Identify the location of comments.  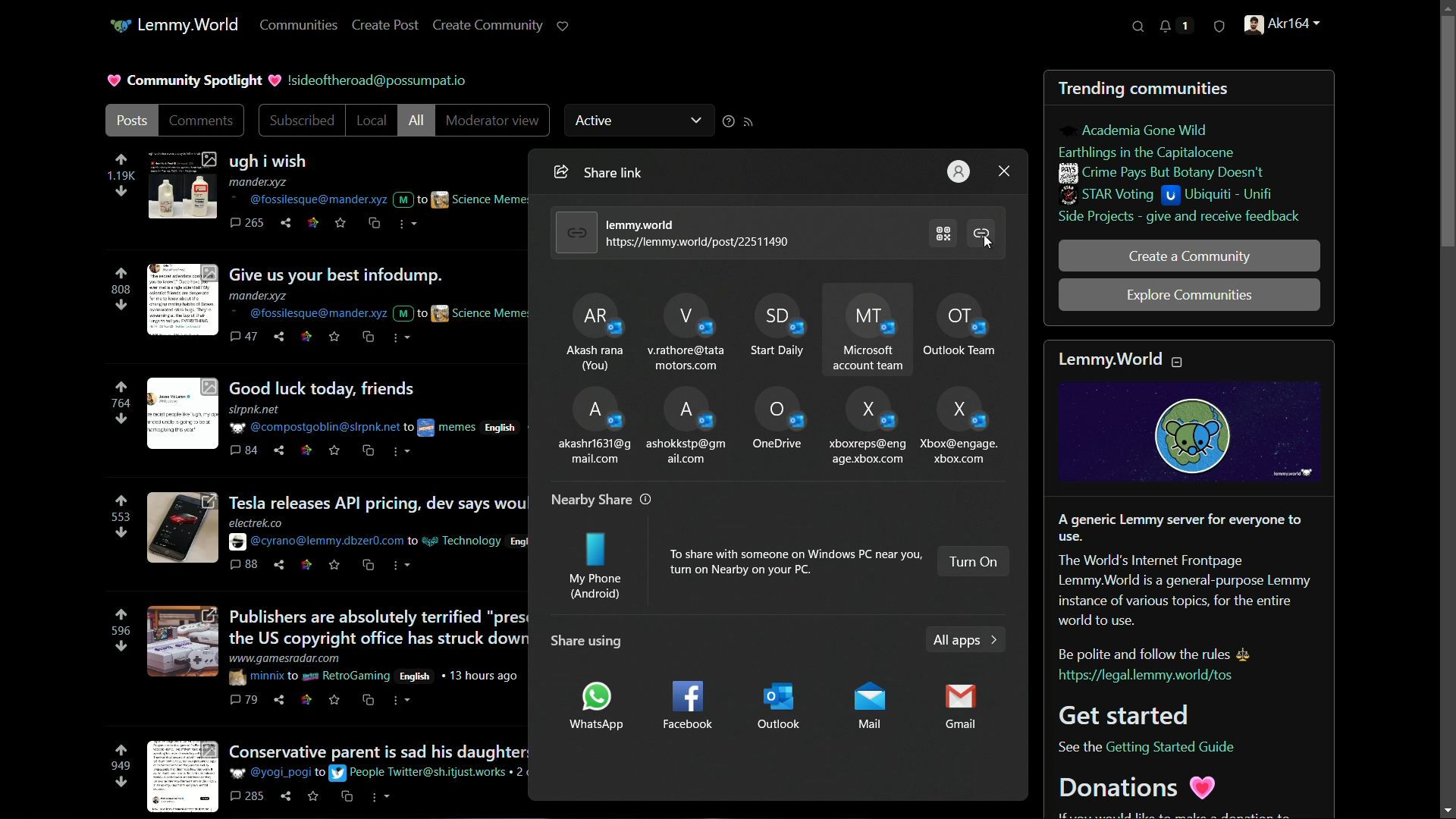
(202, 121).